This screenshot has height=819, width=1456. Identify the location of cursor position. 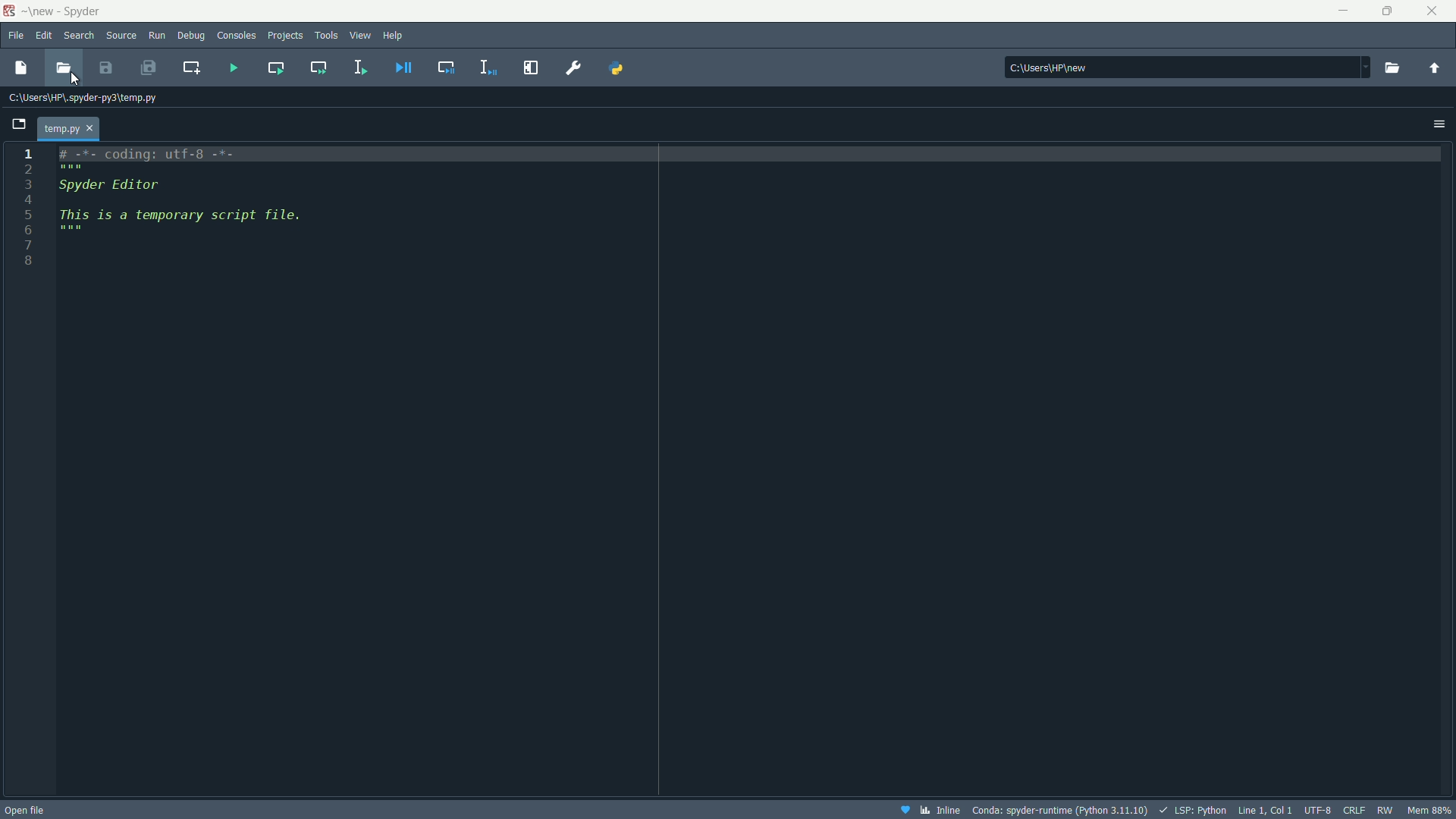
(1266, 810).